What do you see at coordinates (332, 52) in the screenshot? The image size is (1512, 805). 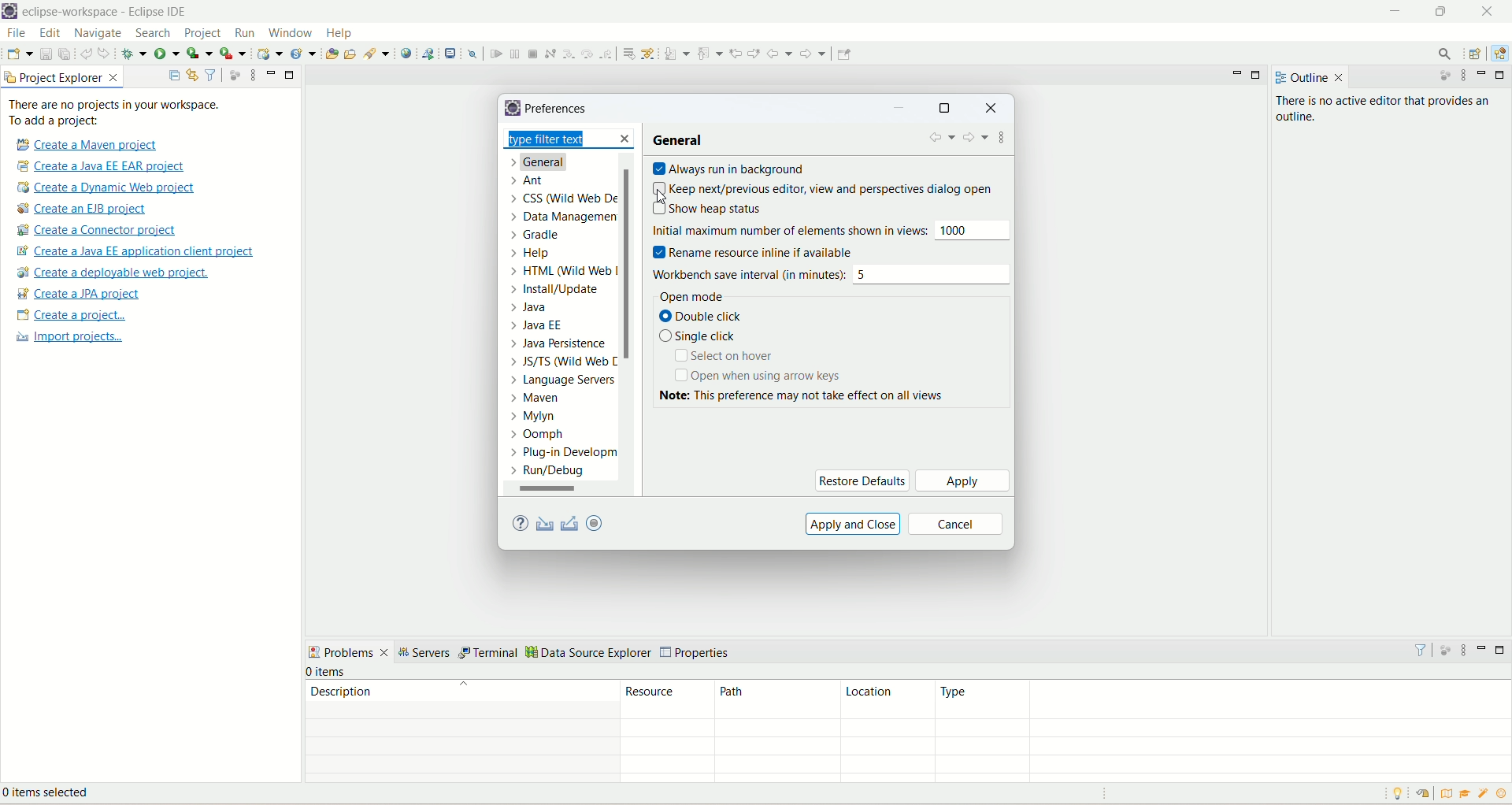 I see `open type` at bounding box center [332, 52].